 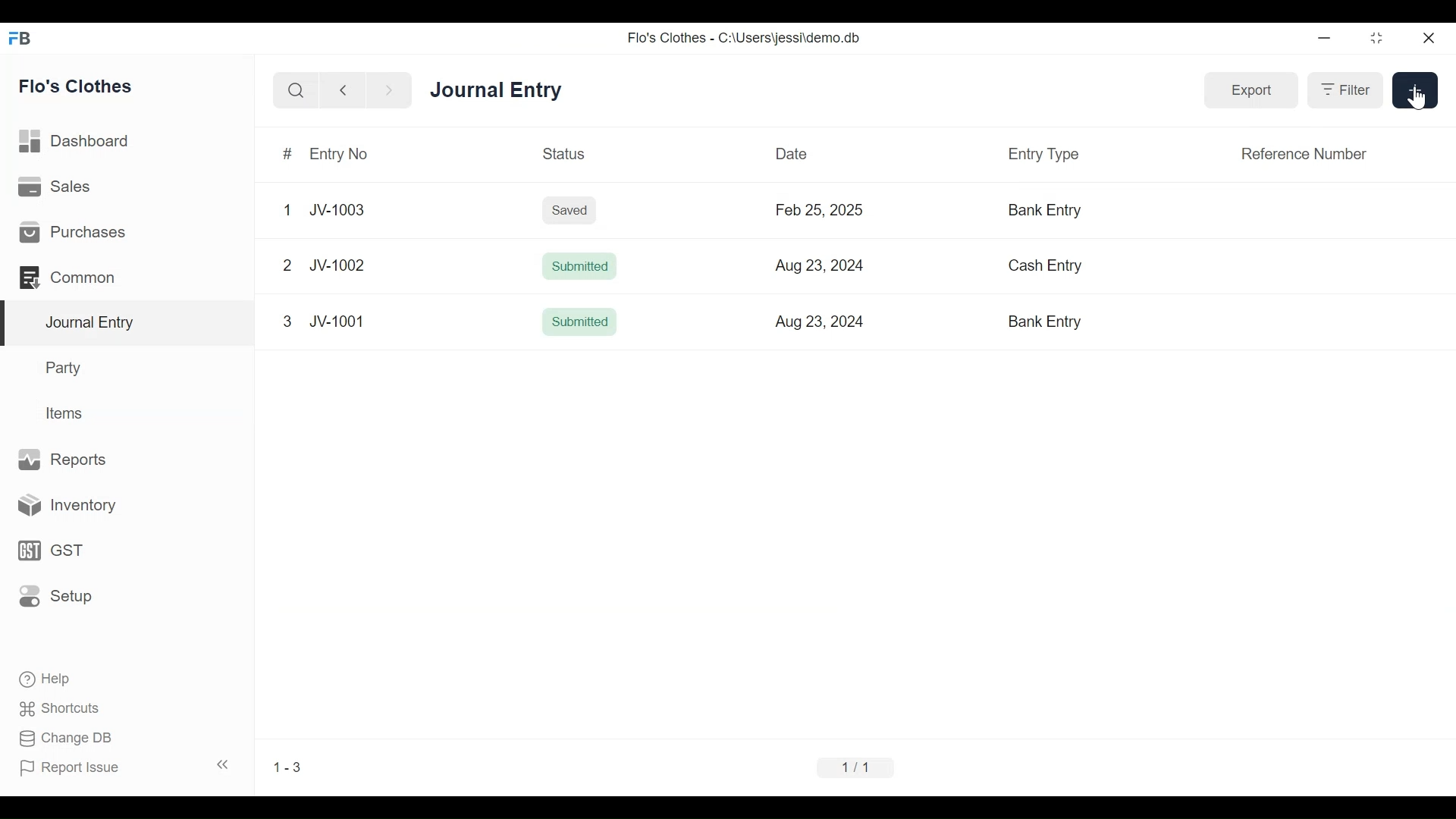 I want to click on Submitted, so click(x=583, y=267).